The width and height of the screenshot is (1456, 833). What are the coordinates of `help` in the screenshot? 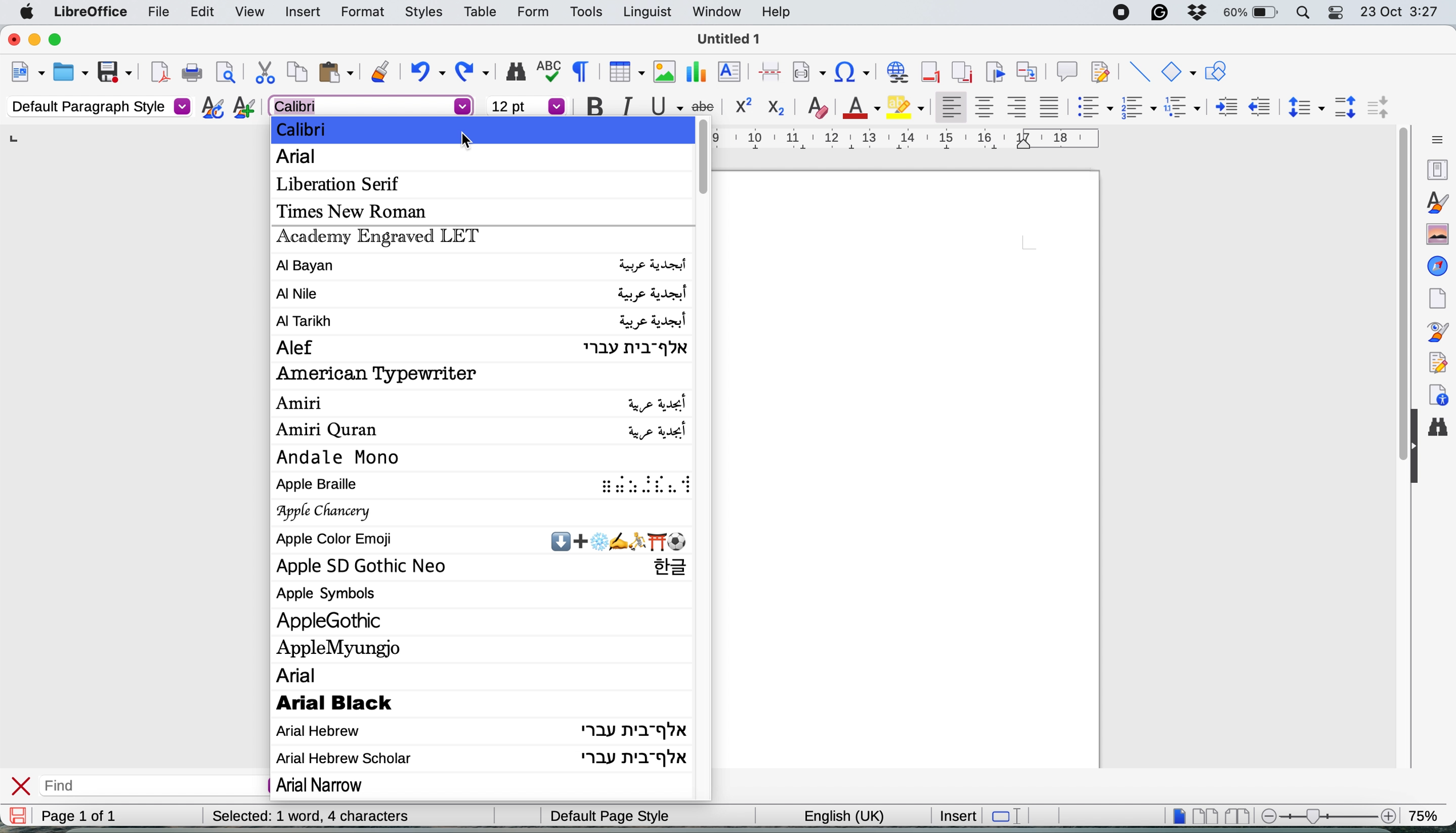 It's located at (776, 13).